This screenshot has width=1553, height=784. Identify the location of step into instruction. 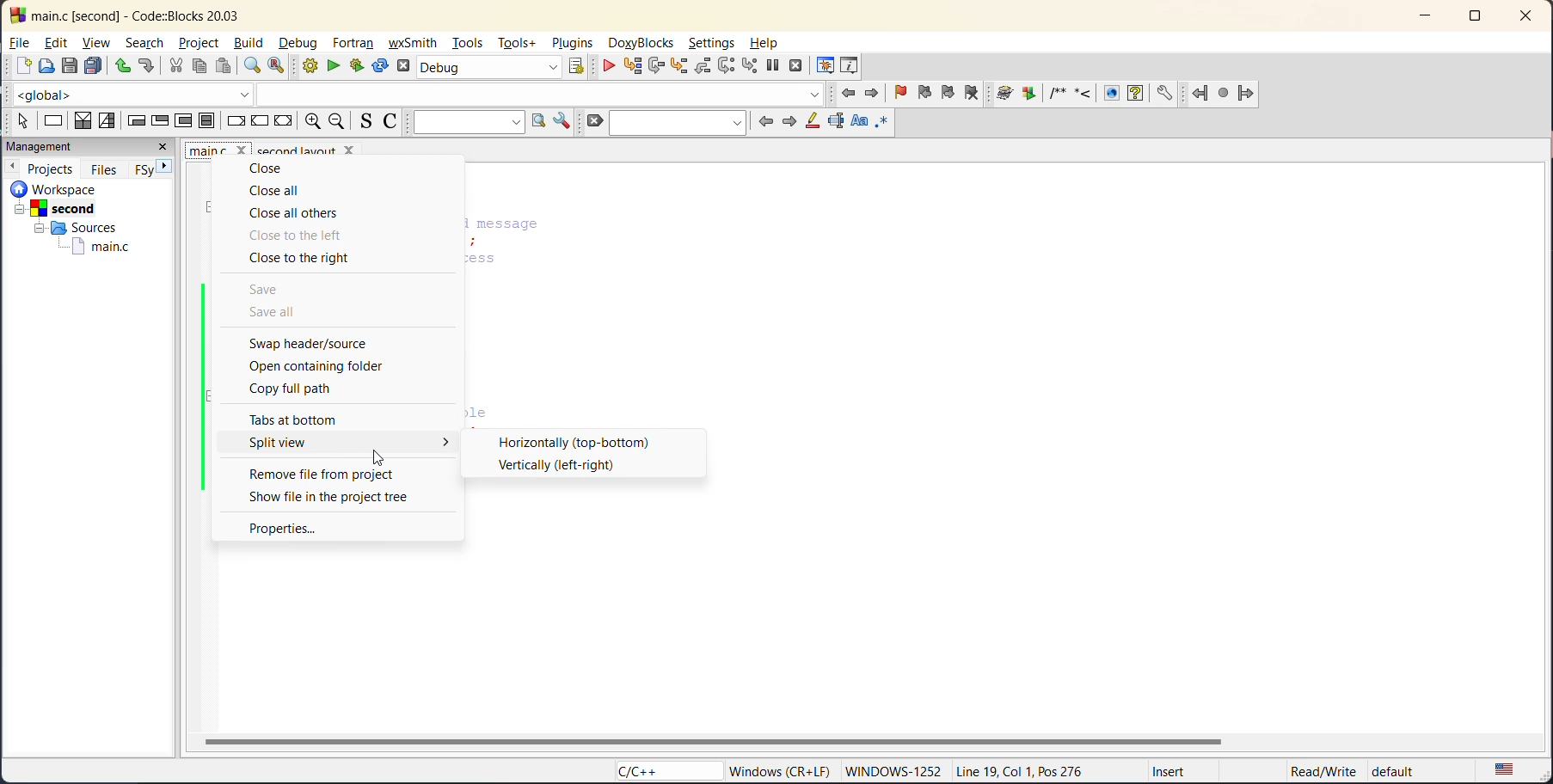
(746, 65).